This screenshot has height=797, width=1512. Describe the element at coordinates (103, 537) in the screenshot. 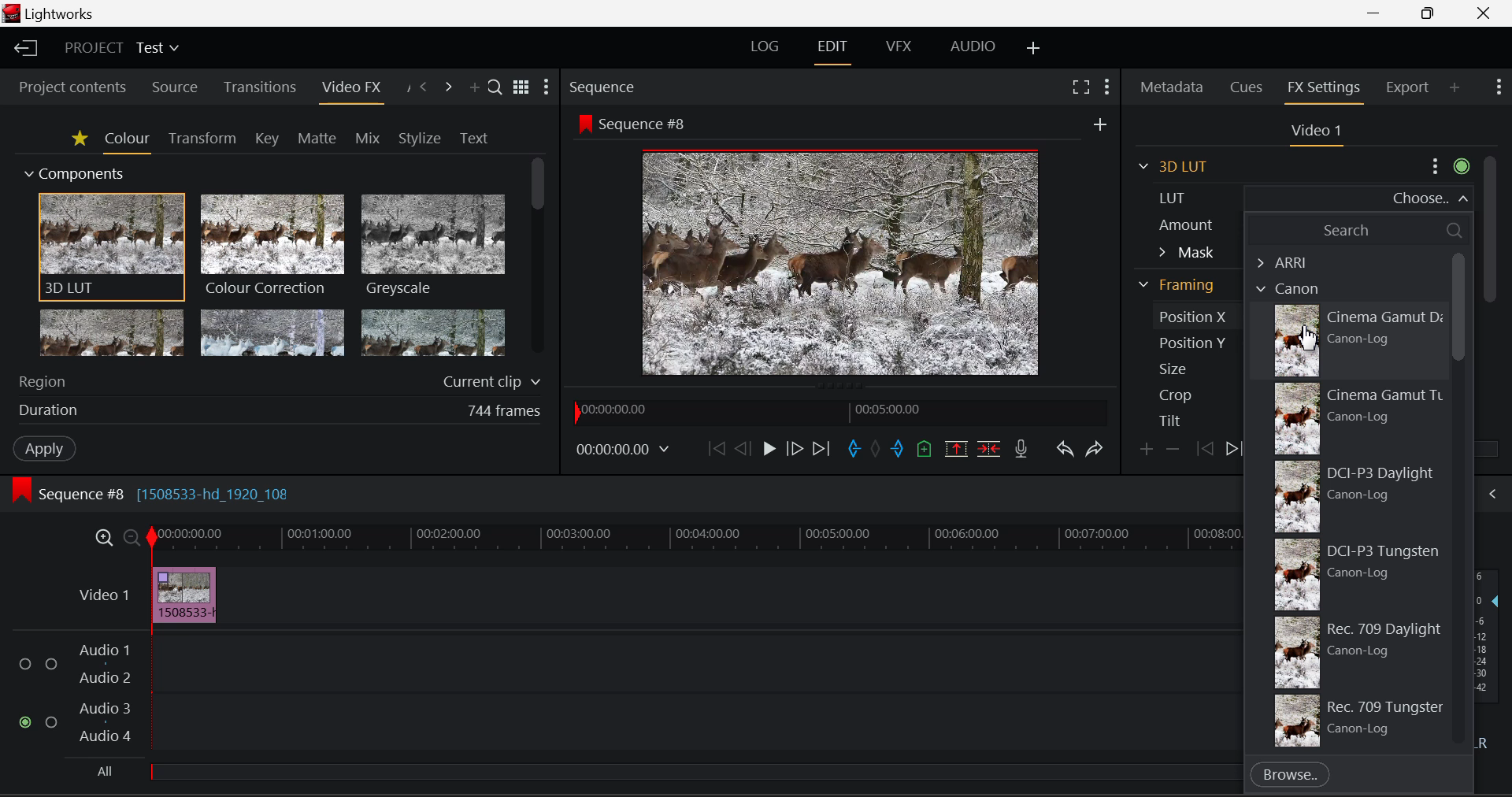

I see `Timeline Zoom In` at that location.